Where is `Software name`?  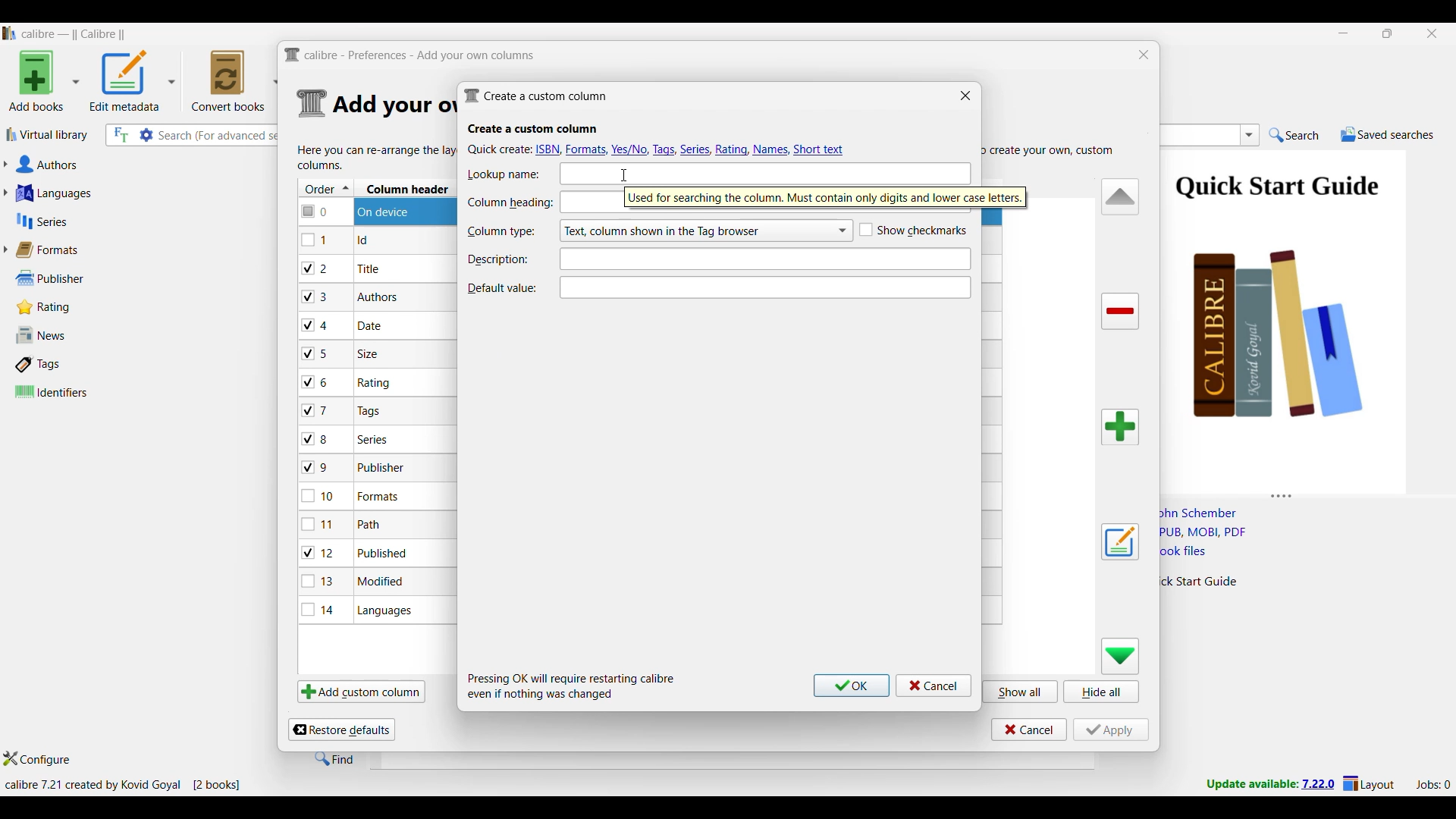 Software name is located at coordinates (74, 34).